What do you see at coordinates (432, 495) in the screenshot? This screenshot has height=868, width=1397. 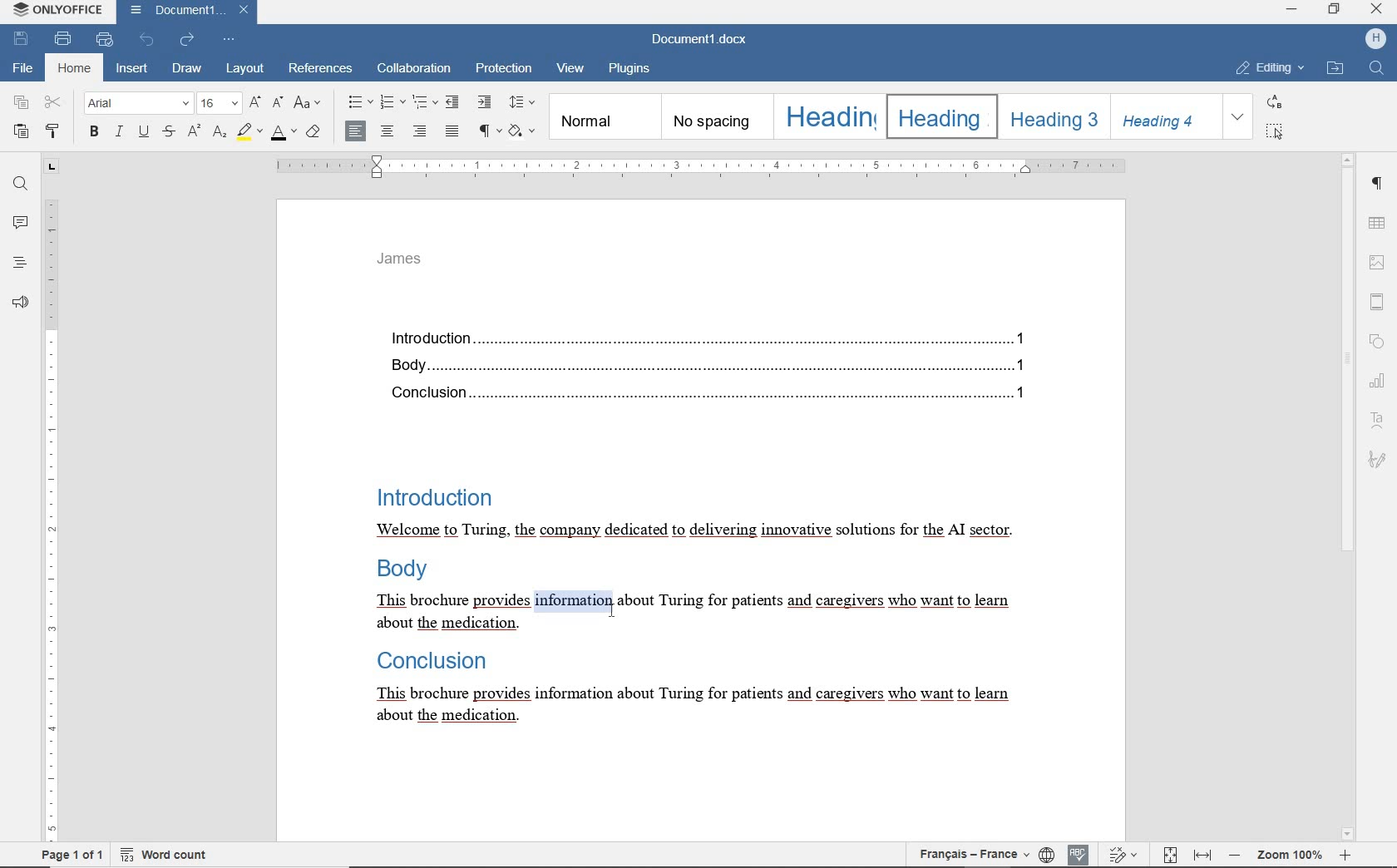 I see `Introduction` at bounding box center [432, 495].